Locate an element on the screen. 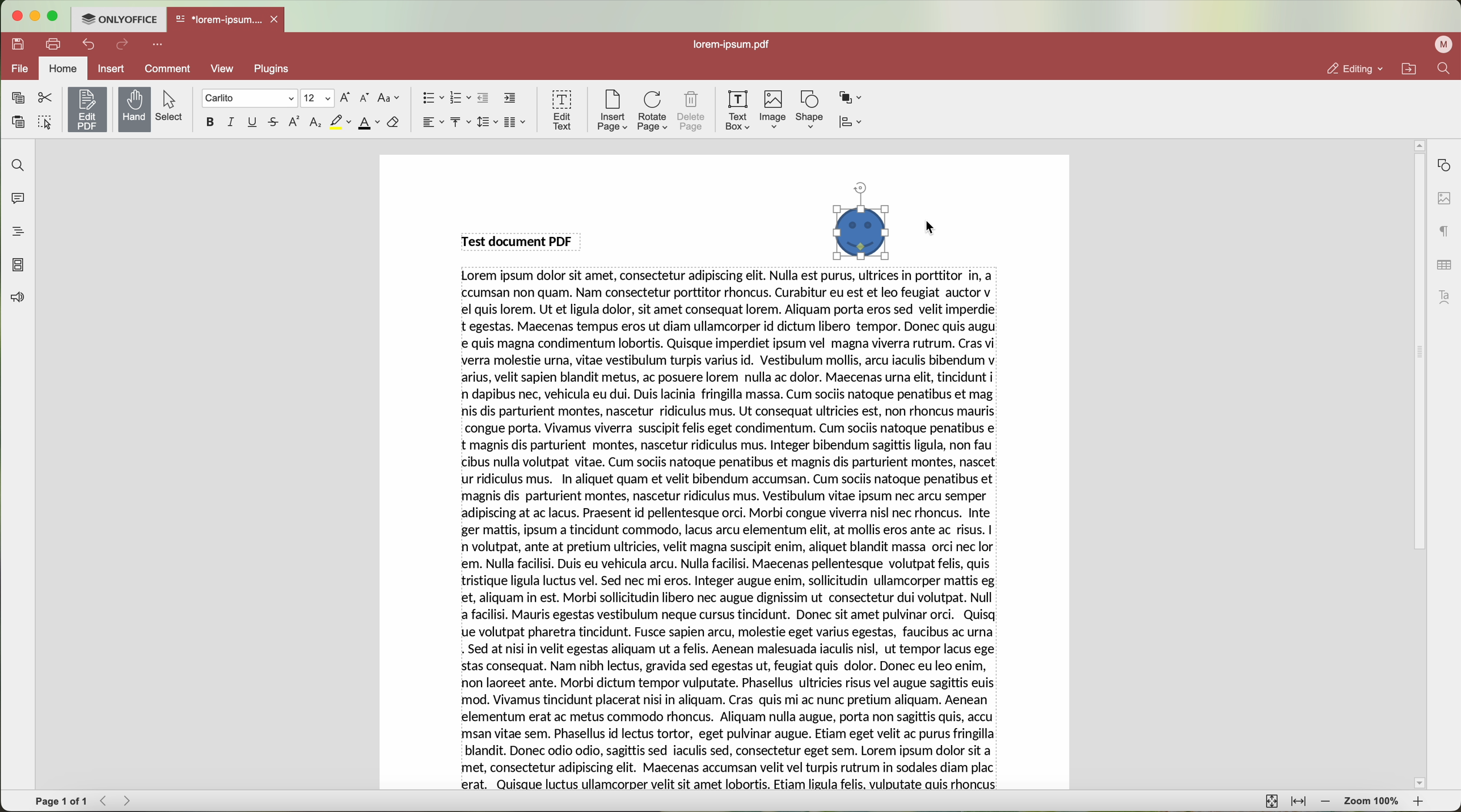  font type is located at coordinates (250, 99).